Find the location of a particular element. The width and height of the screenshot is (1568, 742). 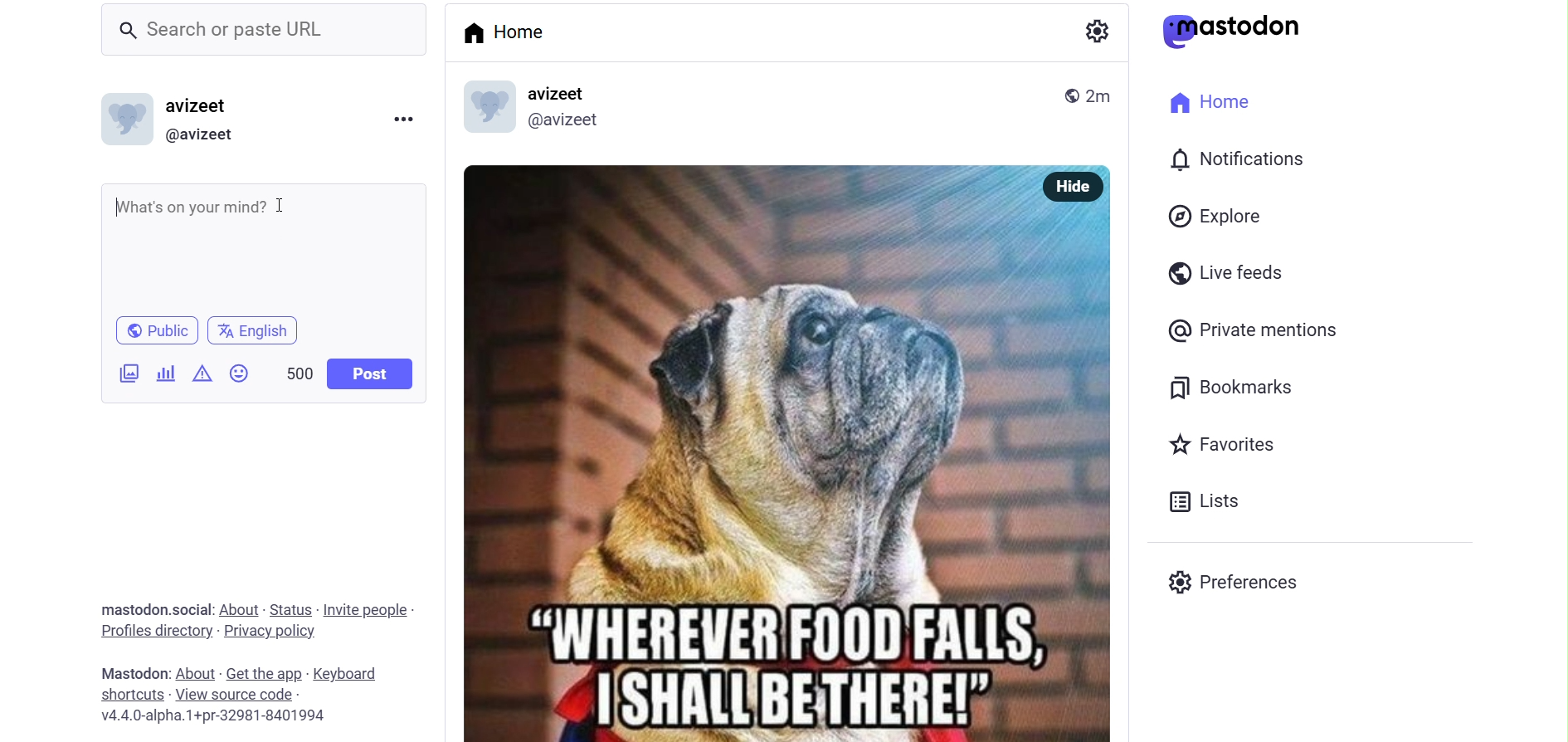

avizeet is located at coordinates (573, 93).